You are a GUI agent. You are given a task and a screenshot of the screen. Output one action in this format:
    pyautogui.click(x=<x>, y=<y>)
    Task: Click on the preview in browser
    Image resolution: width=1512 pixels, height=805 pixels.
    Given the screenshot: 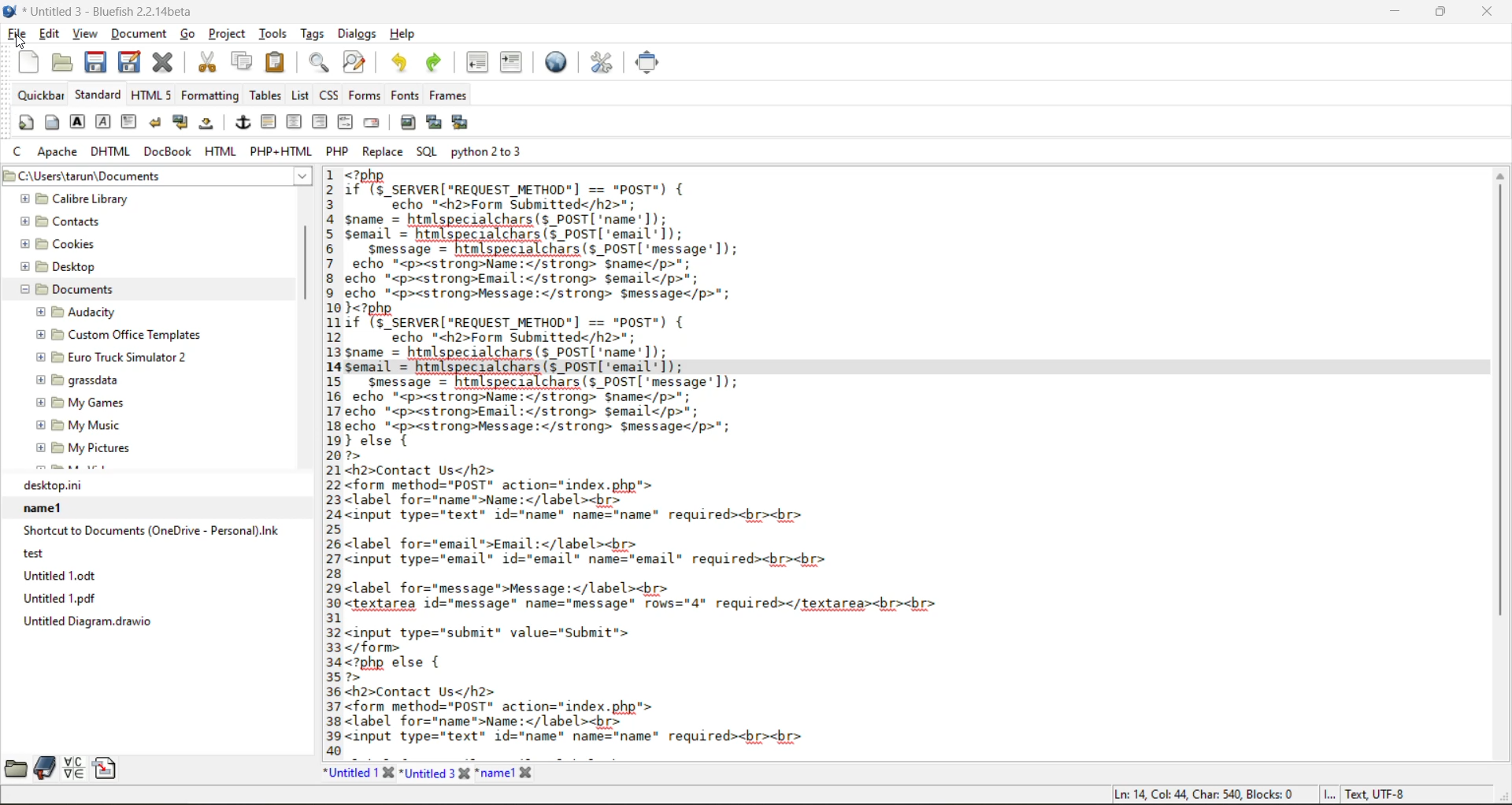 What is the action you would take?
    pyautogui.click(x=560, y=61)
    